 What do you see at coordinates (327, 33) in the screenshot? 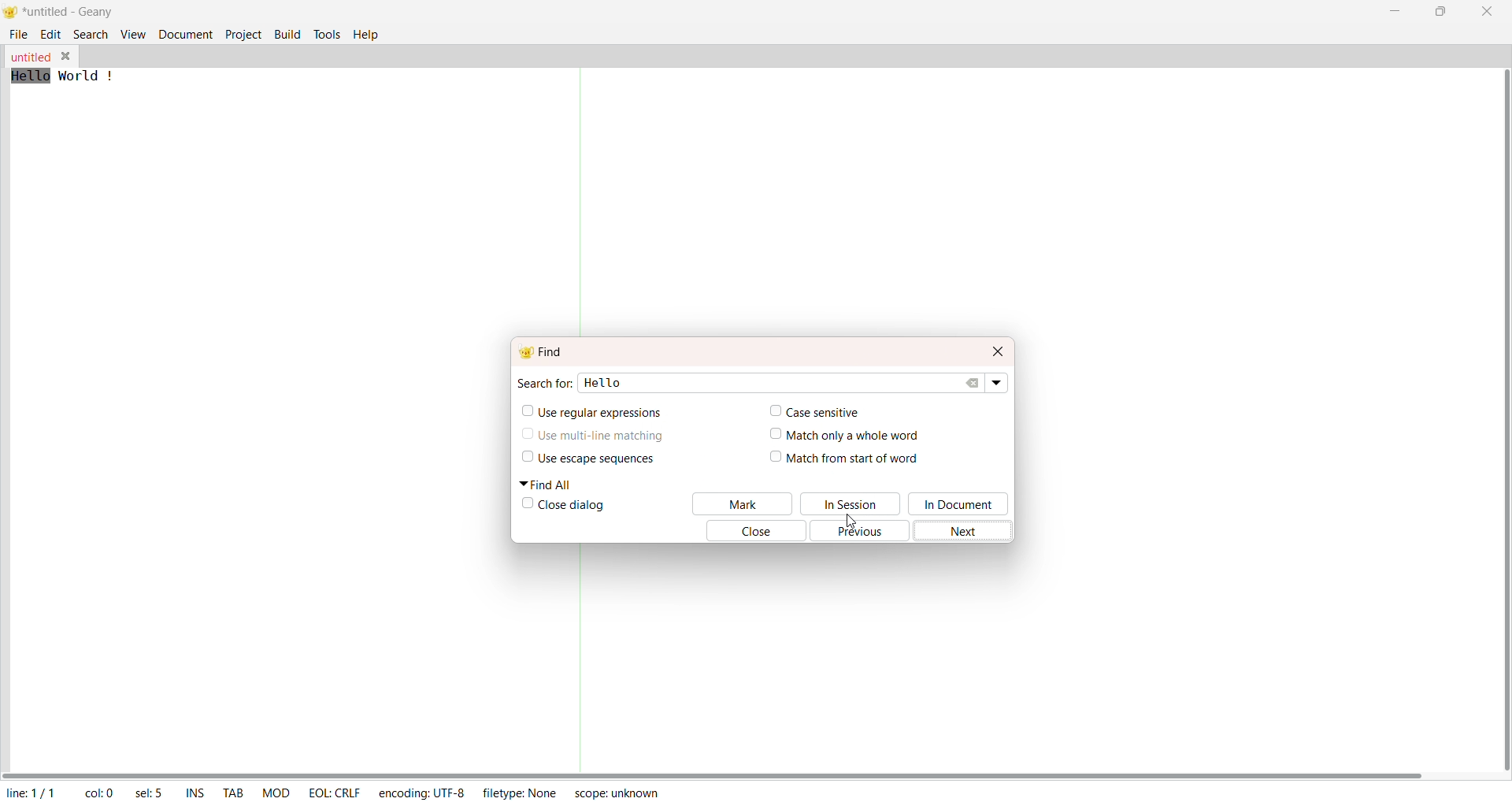
I see `Tools` at bounding box center [327, 33].